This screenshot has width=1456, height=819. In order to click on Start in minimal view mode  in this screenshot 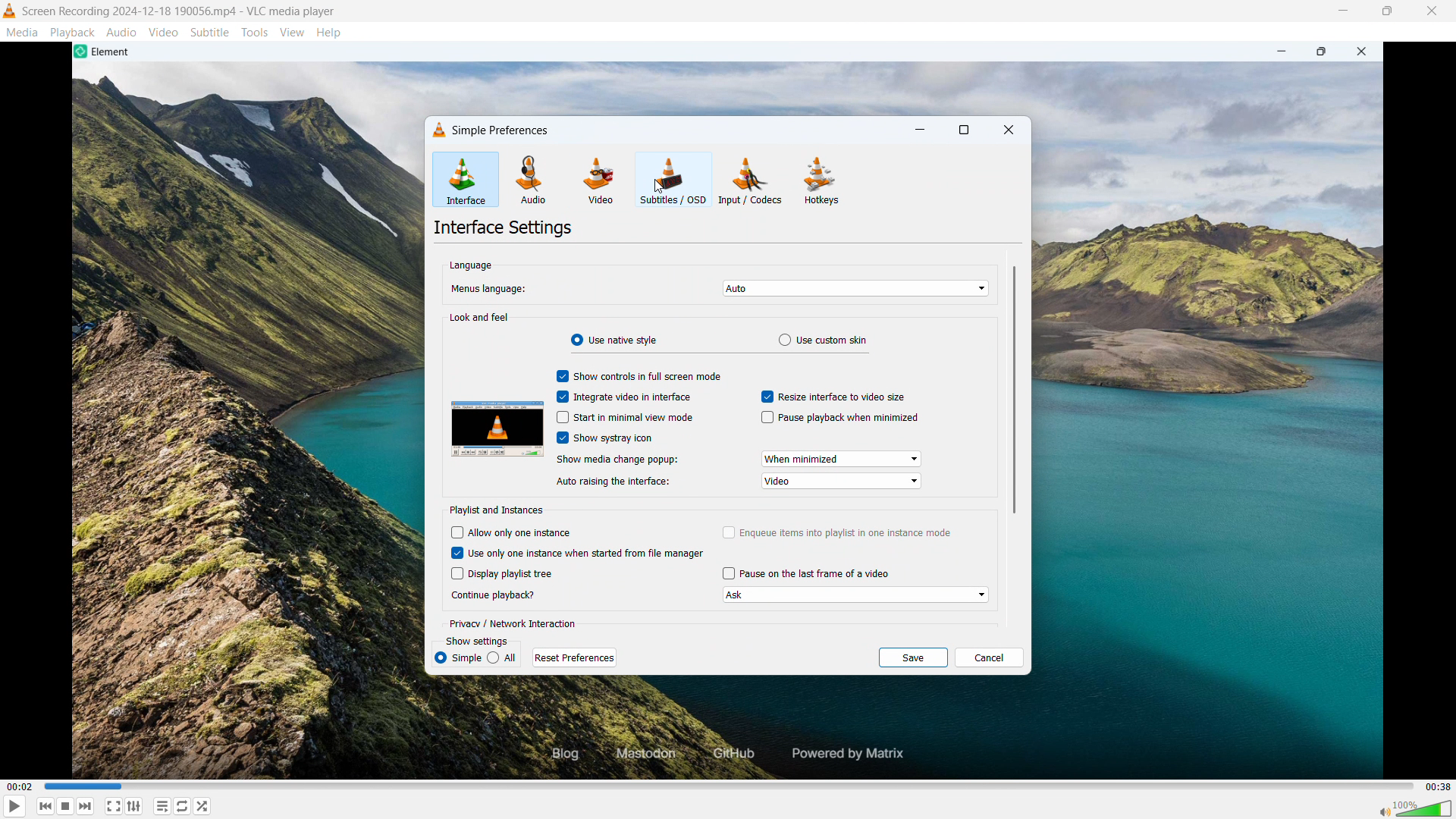, I will do `click(635, 417)`.